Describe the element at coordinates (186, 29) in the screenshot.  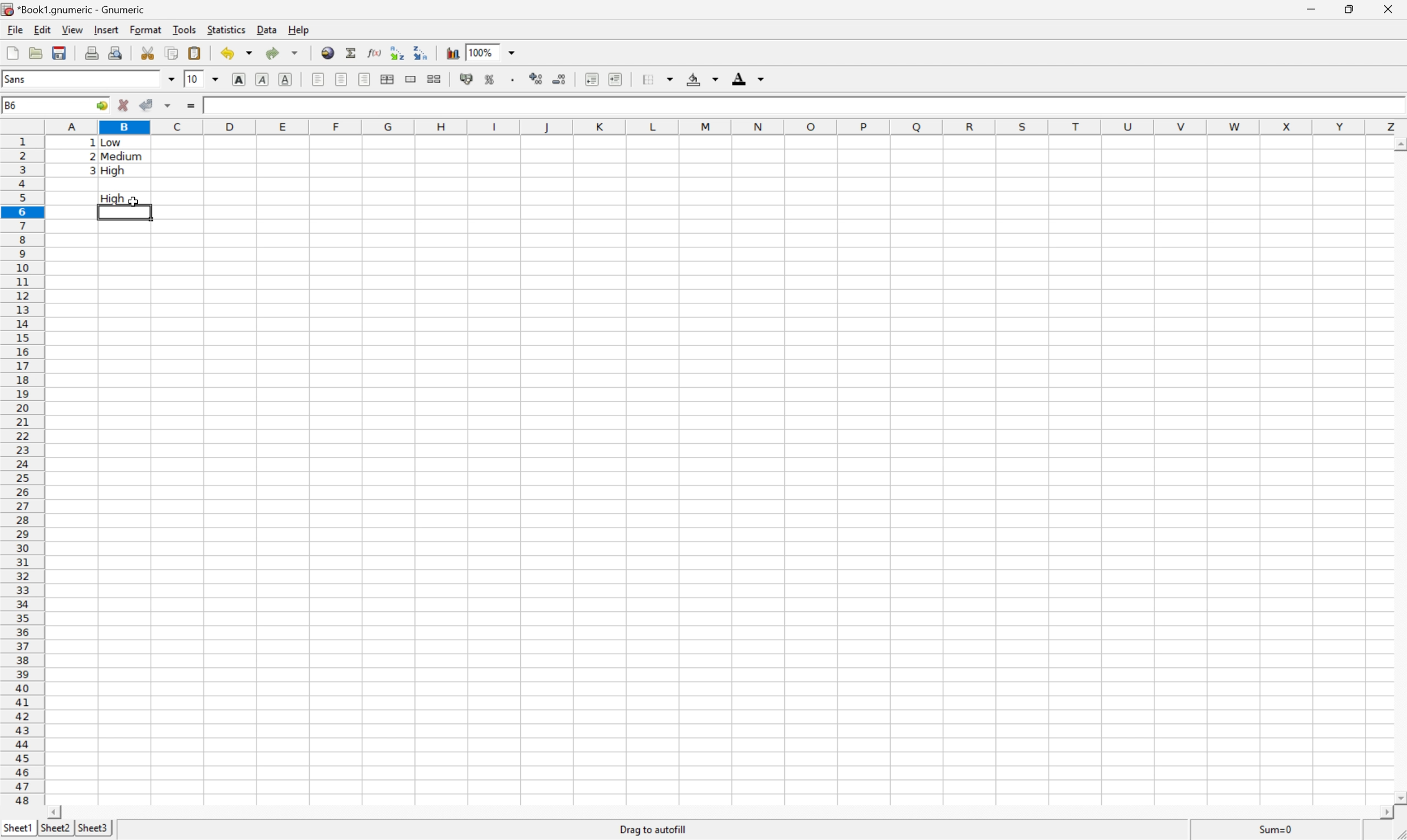
I see `Tools` at that location.